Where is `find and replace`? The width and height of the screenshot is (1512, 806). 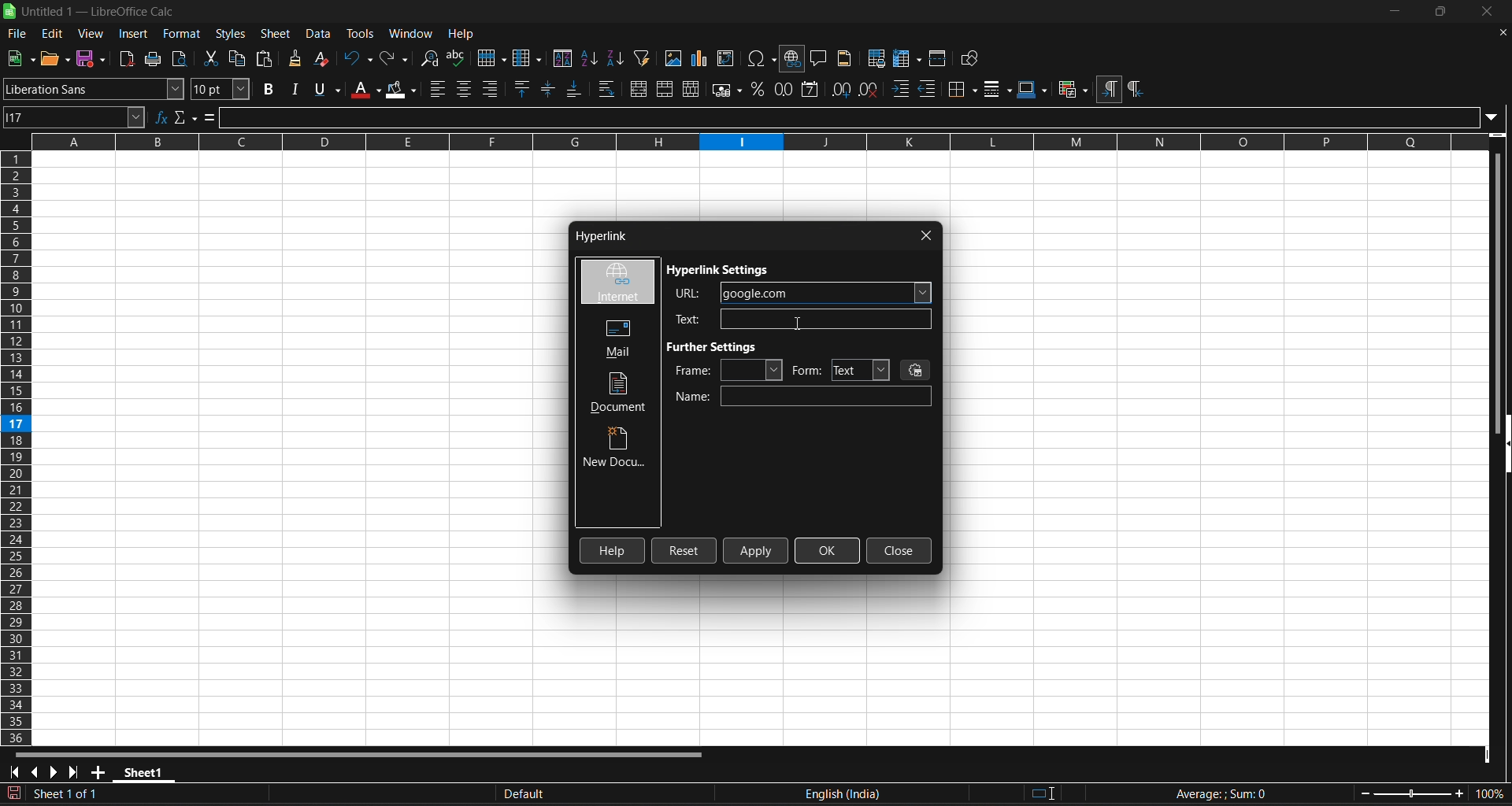 find and replace is located at coordinates (431, 59).